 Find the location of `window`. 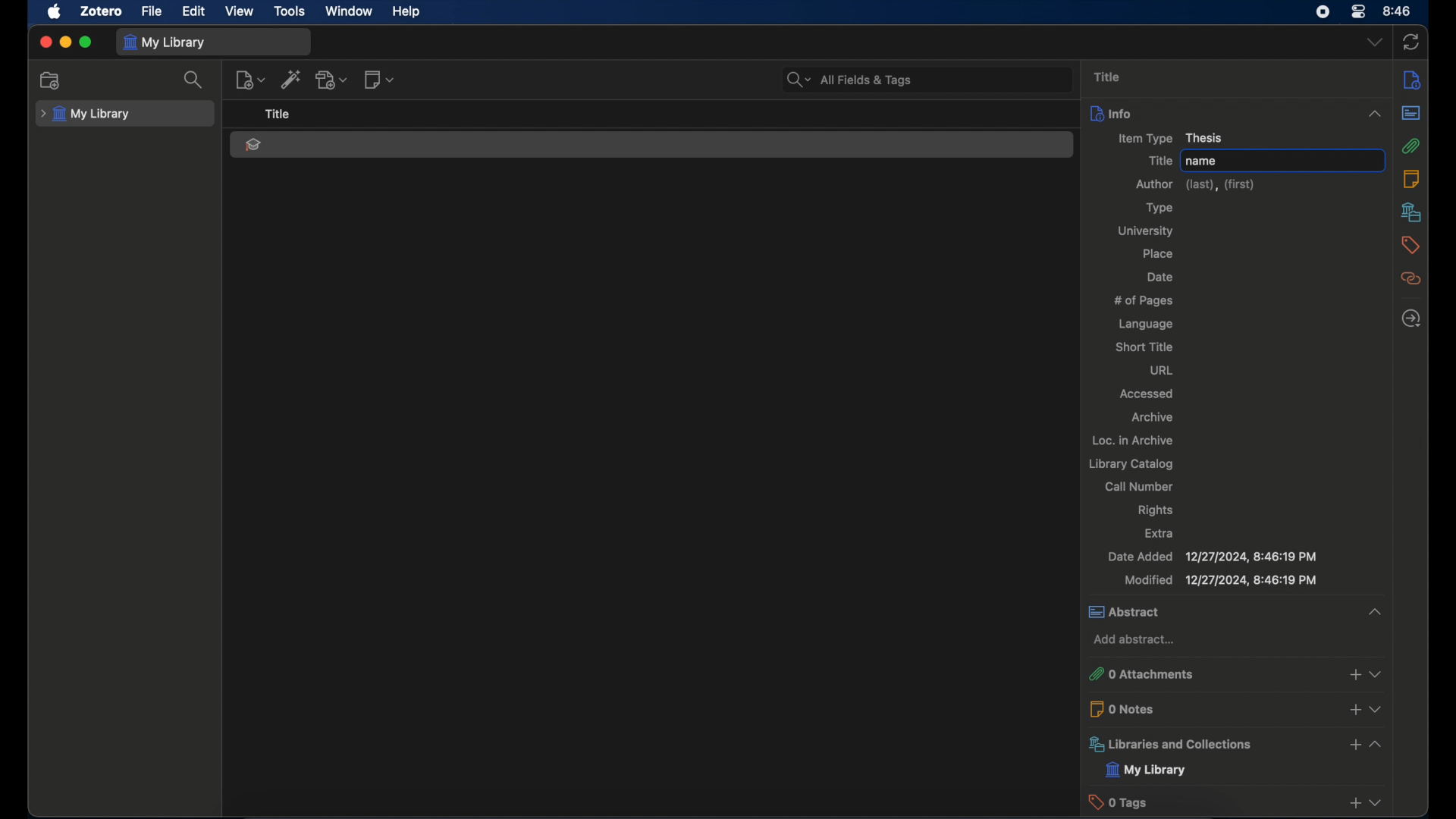

window is located at coordinates (347, 11).